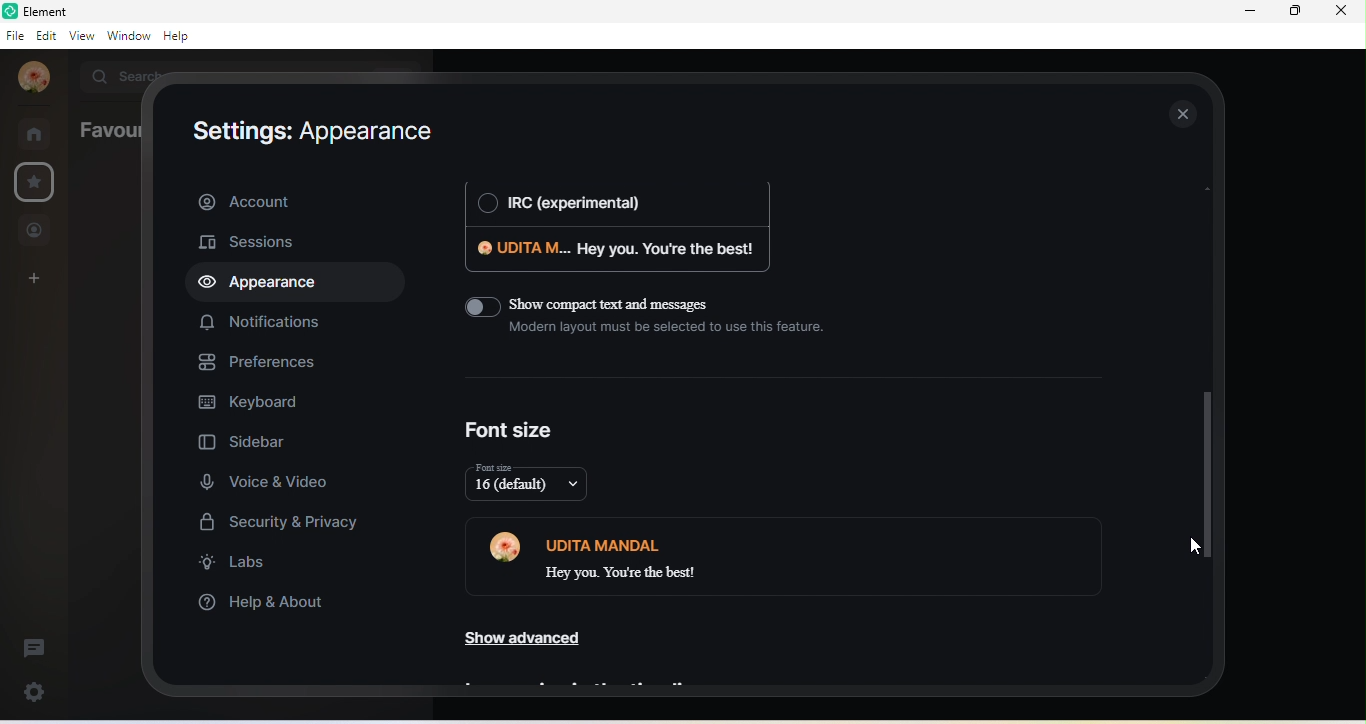  What do you see at coordinates (1206, 476) in the screenshot?
I see `drop down scroll bar` at bounding box center [1206, 476].